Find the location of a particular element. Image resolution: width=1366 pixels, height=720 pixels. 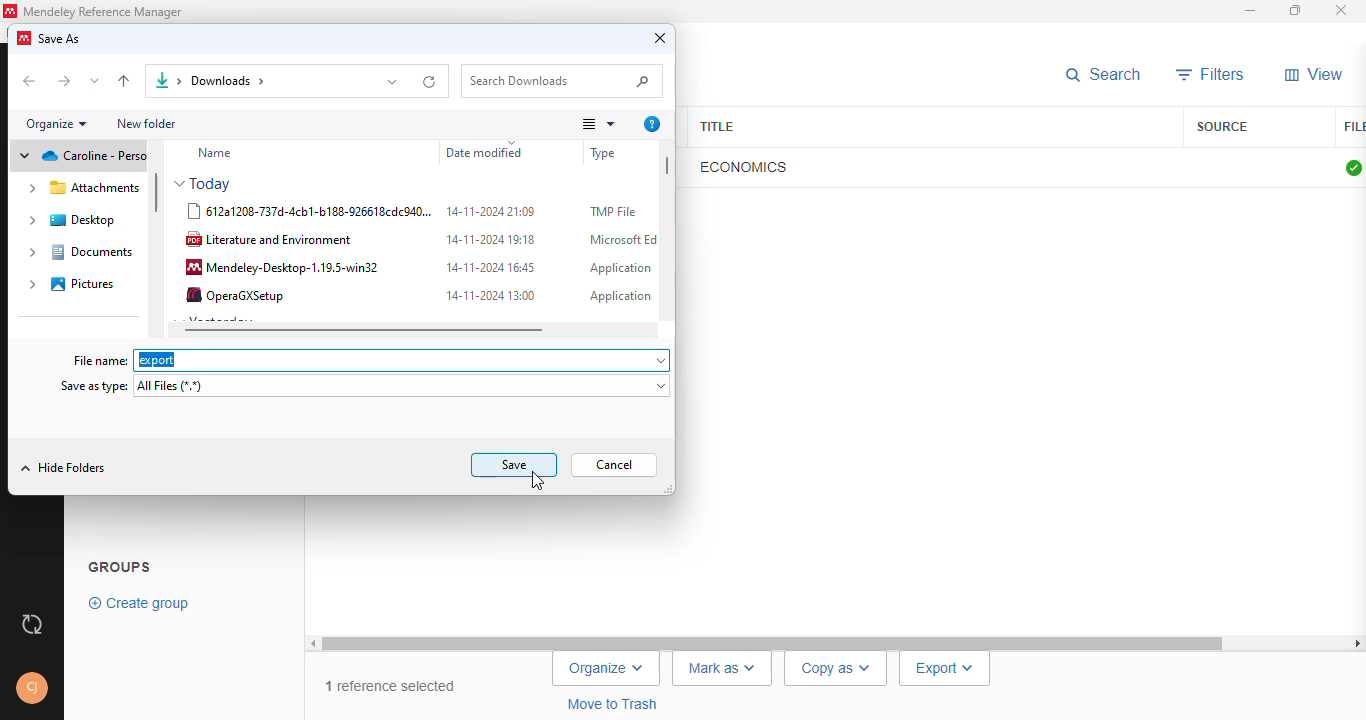

title is located at coordinates (715, 126).